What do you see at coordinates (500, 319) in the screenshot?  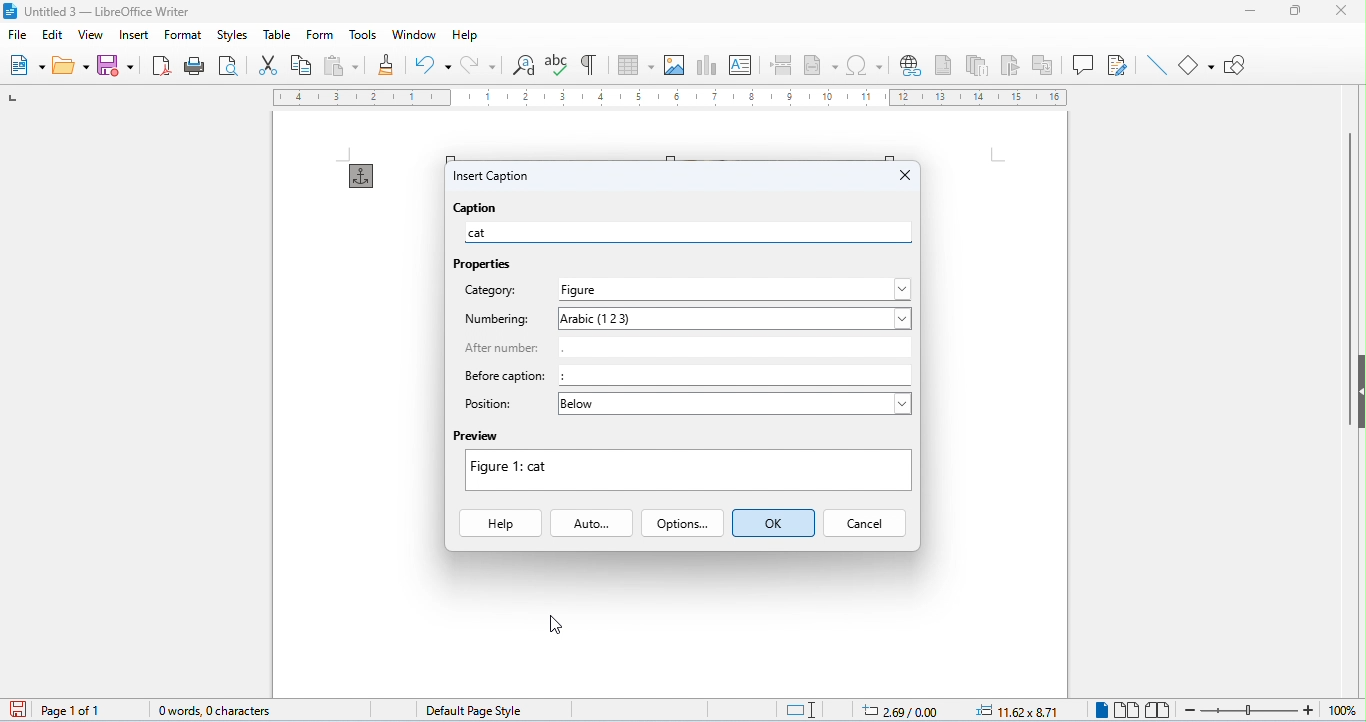 I see `numbering` at bounding box center [500, 319].